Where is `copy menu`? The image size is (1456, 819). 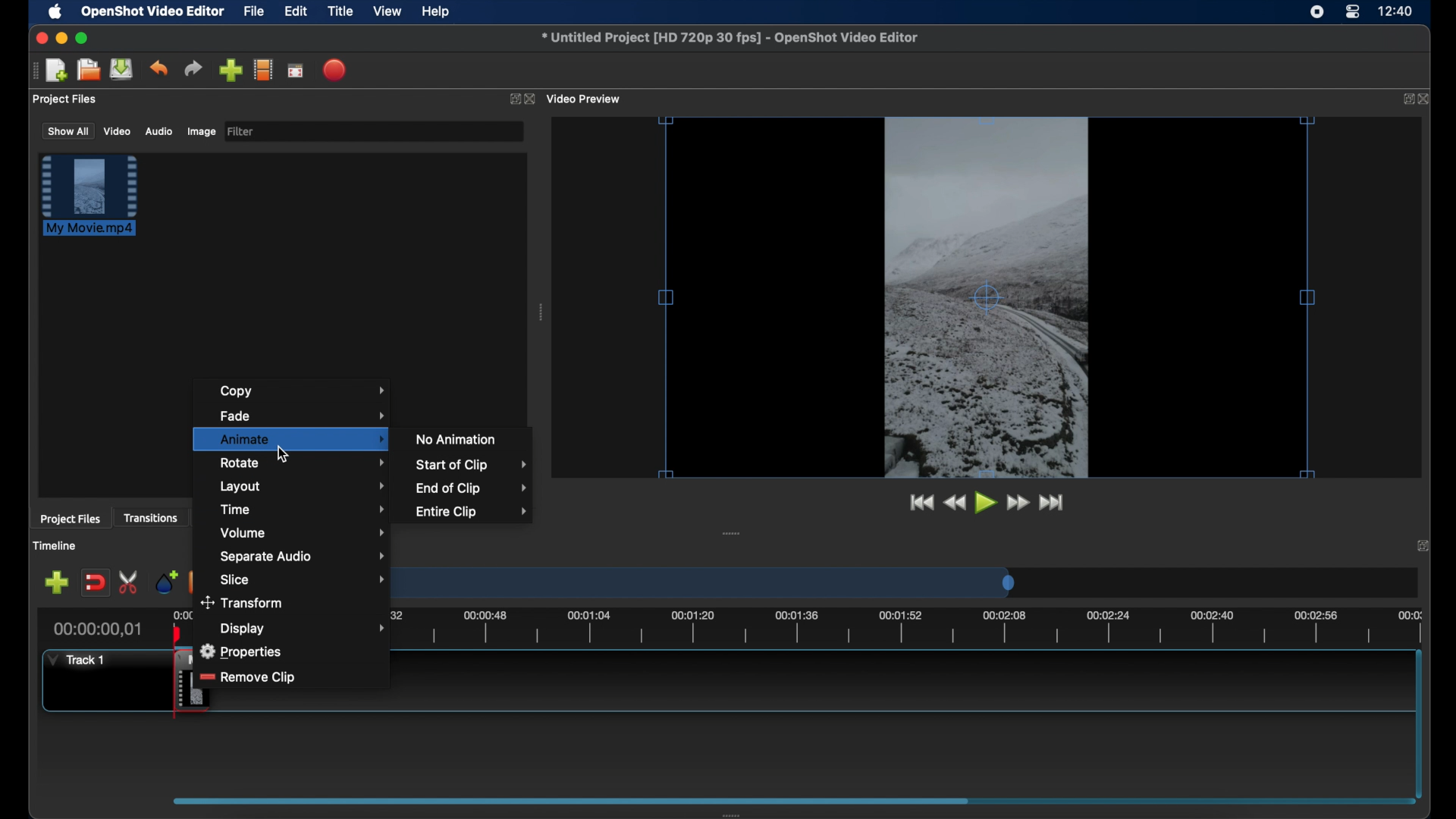 copy menu is located at coordinates (307, 391).